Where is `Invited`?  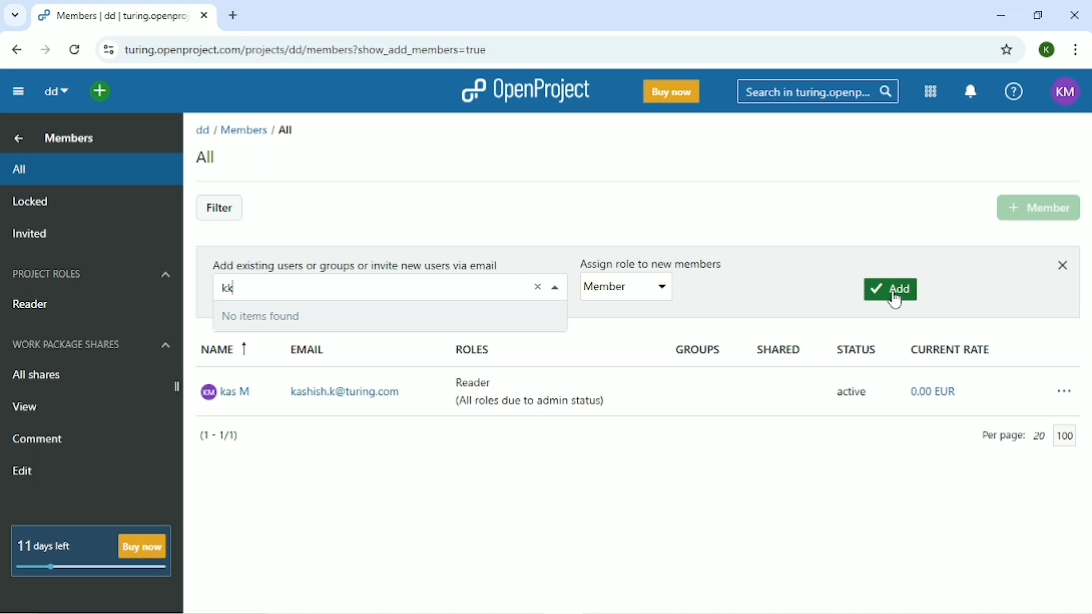 Invited is located at coordinates (31, 235).